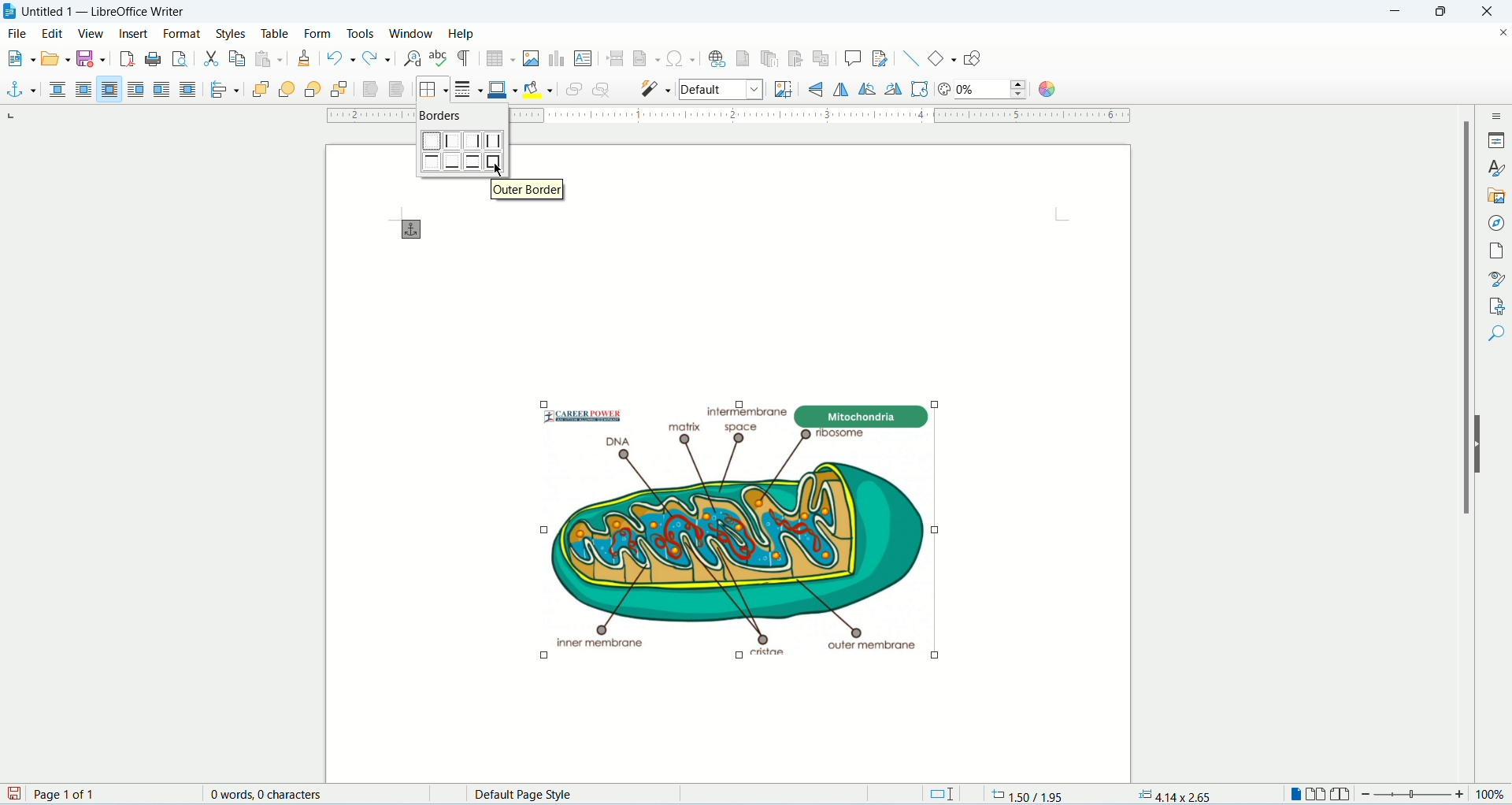  Describe the element at coordinates (19, 57) in the screenshot. I see `new` at that location.